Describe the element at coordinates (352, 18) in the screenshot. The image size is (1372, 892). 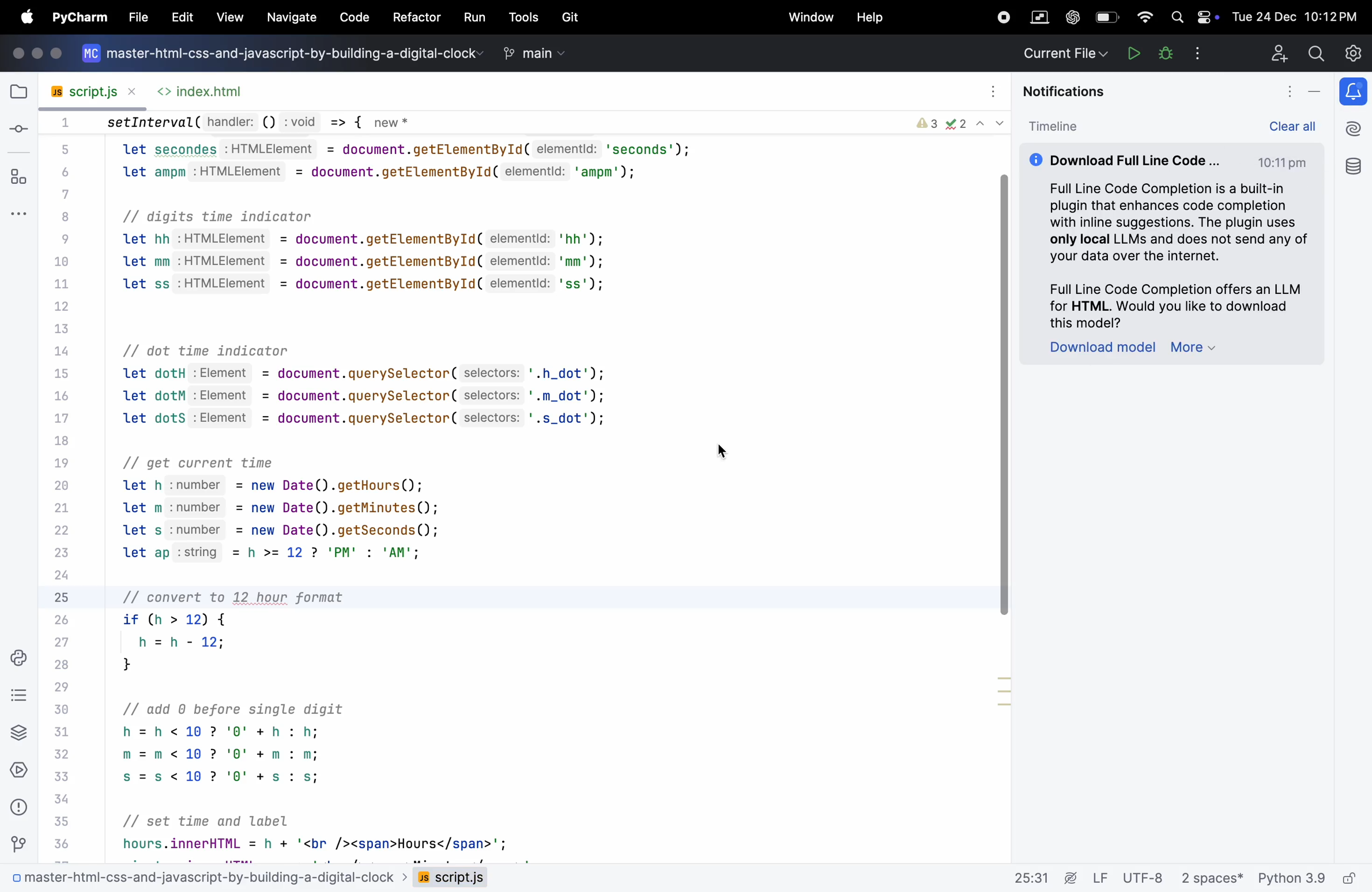
I see `code` at that location.